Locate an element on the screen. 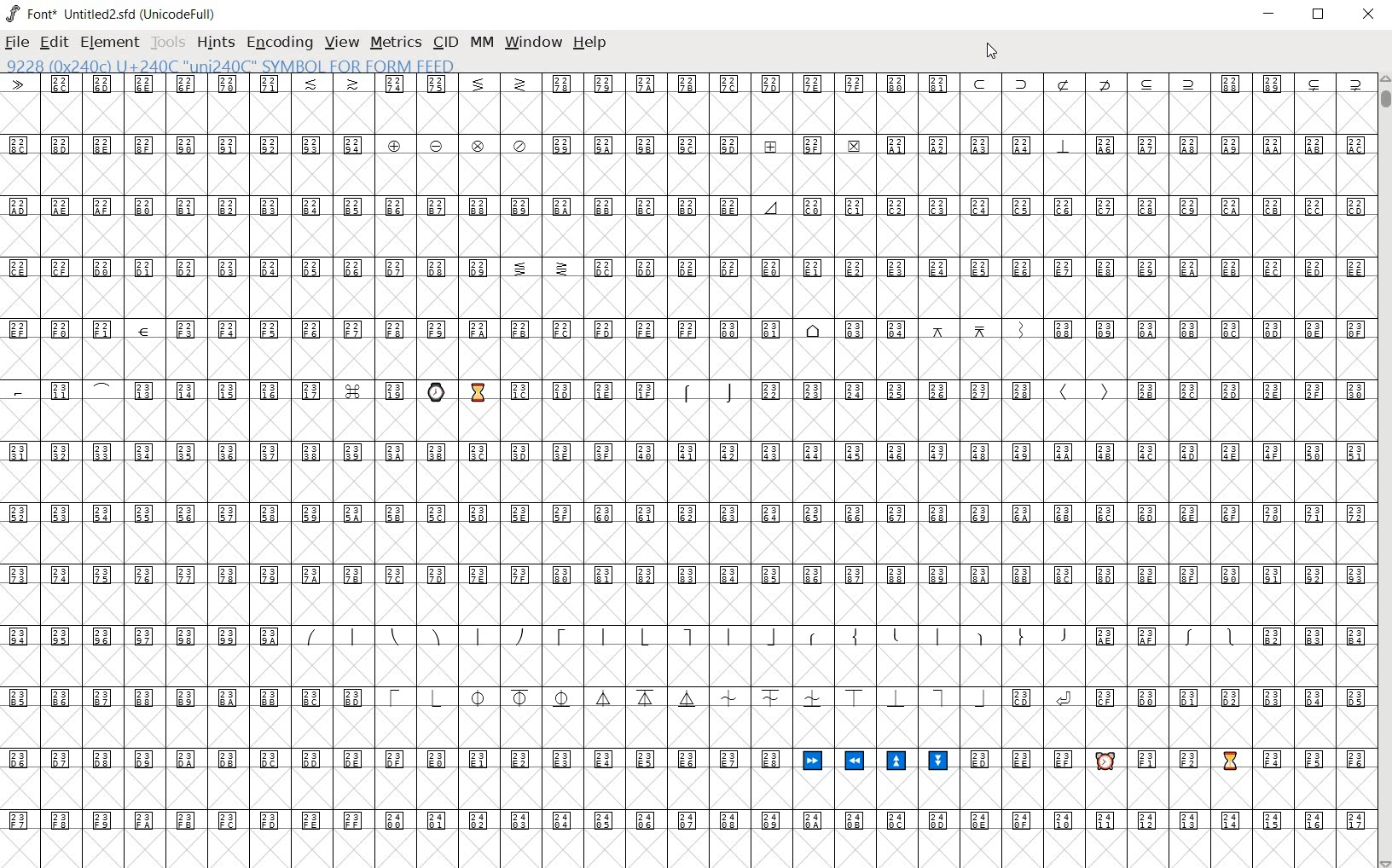  restore is located at coordinates (1320, 14).